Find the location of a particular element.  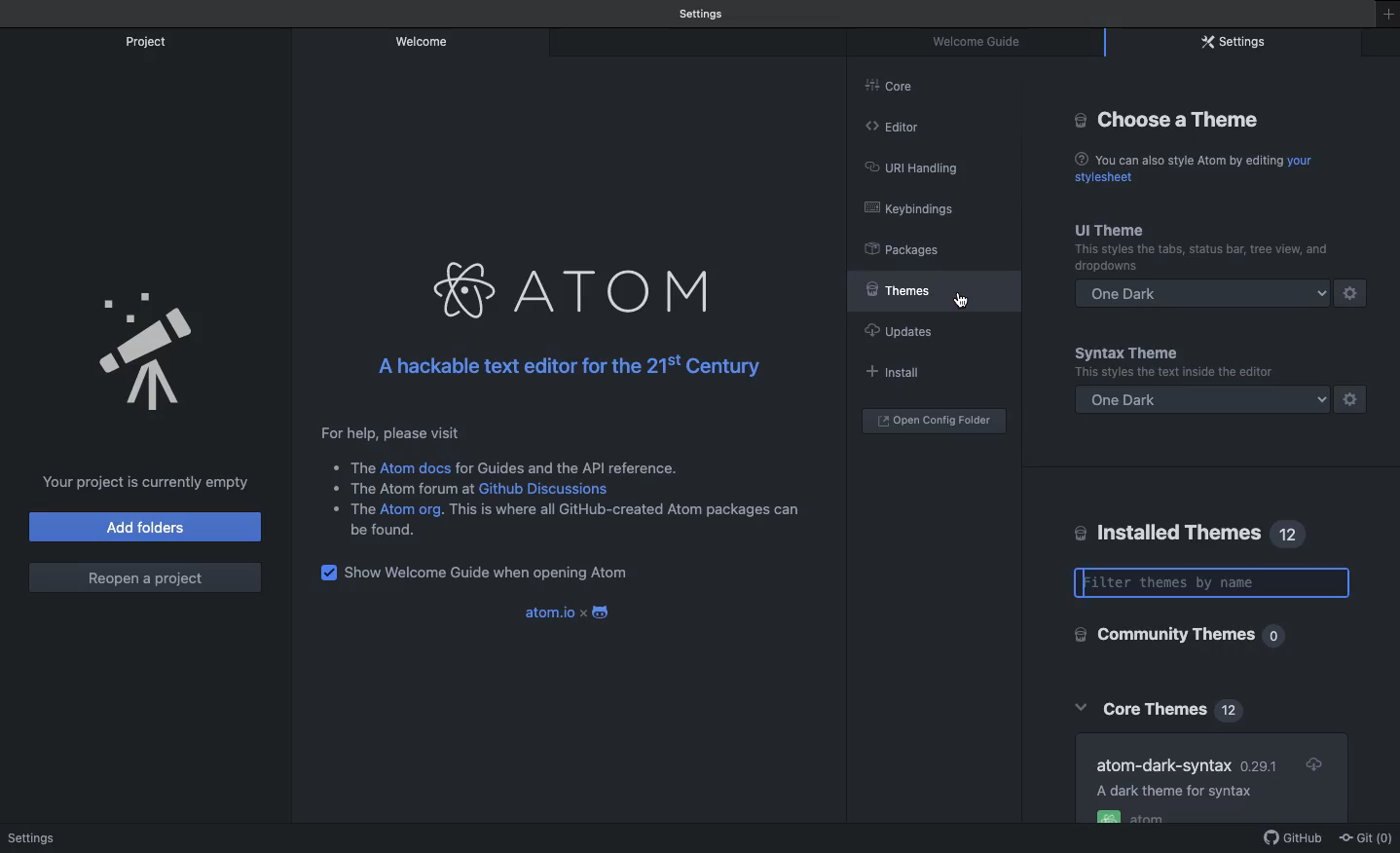

Community themes is located at coordinates (1179, 638).